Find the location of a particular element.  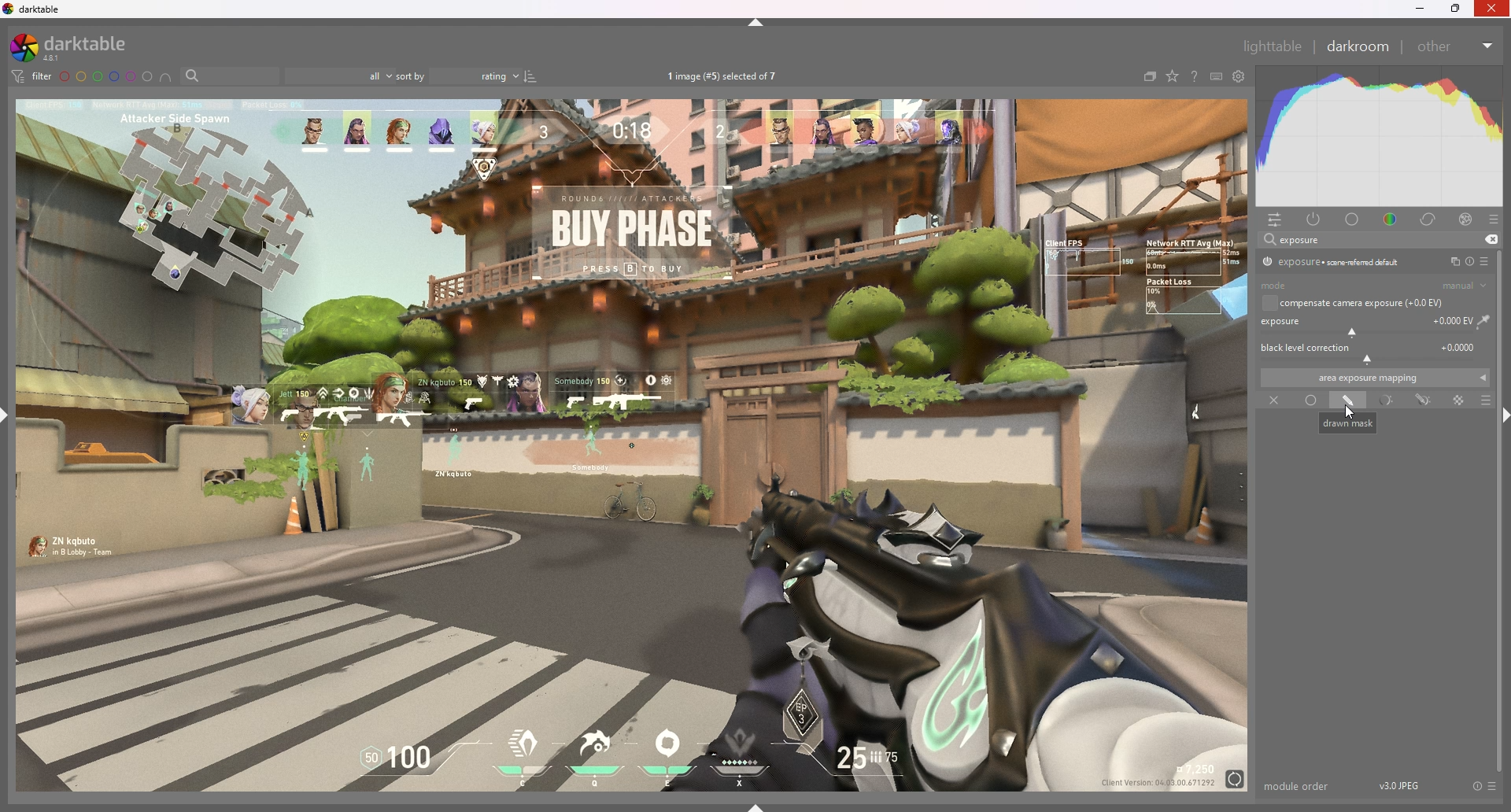

cursor description is located at coordinates (1349, 423).